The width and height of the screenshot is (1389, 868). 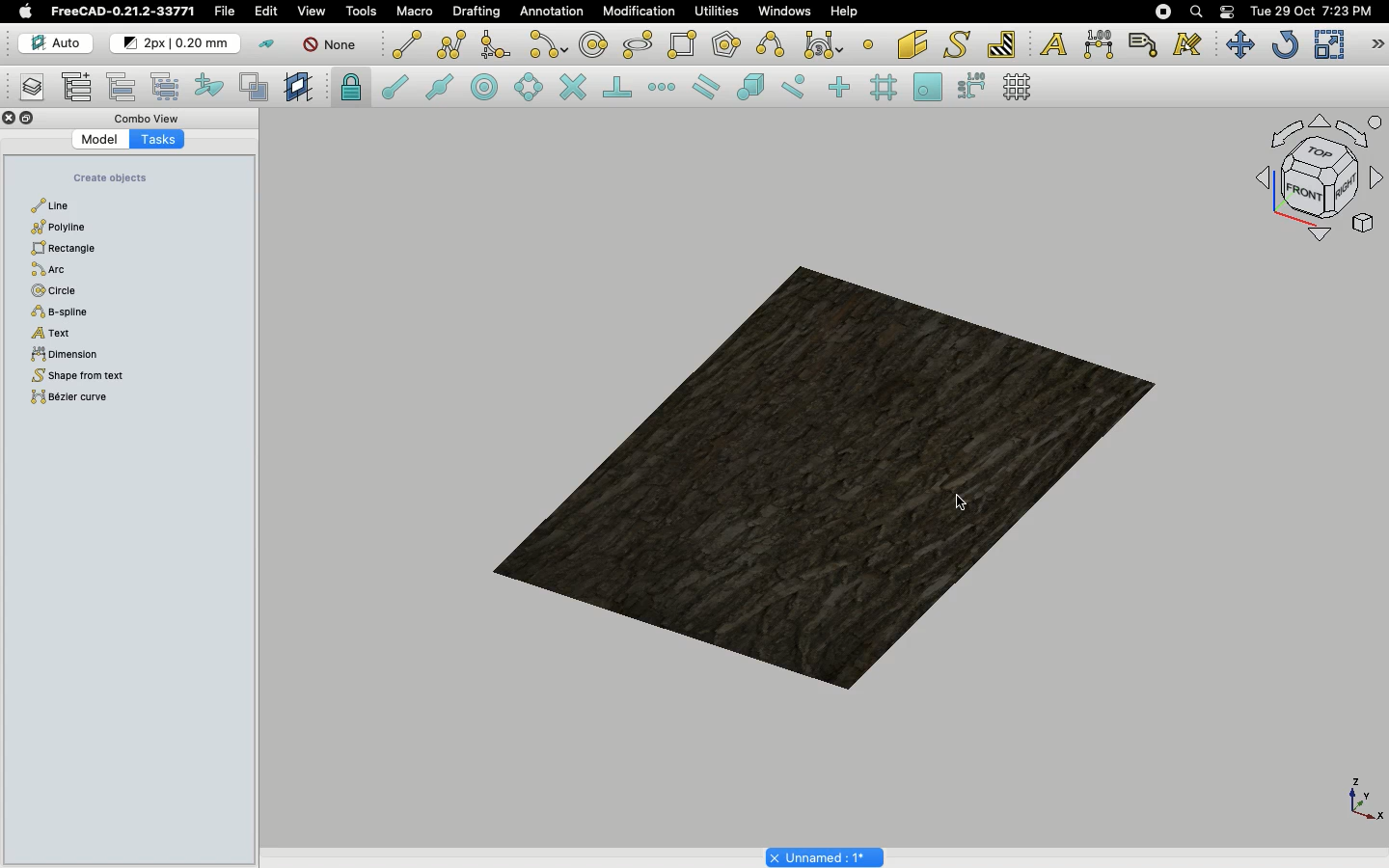 I want to click on Text, so click(x=50, y=333).